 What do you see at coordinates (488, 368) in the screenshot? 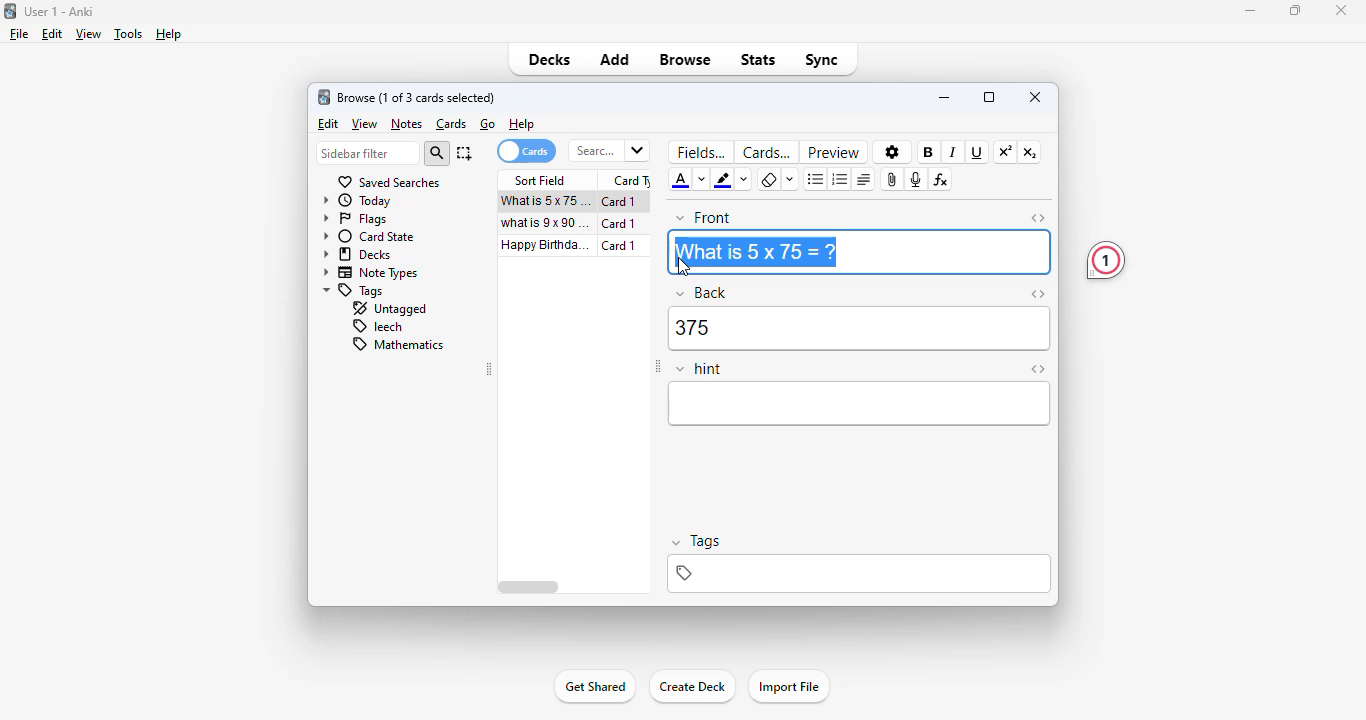
I see `toggle sidebar` at bounding box center [488, 368].